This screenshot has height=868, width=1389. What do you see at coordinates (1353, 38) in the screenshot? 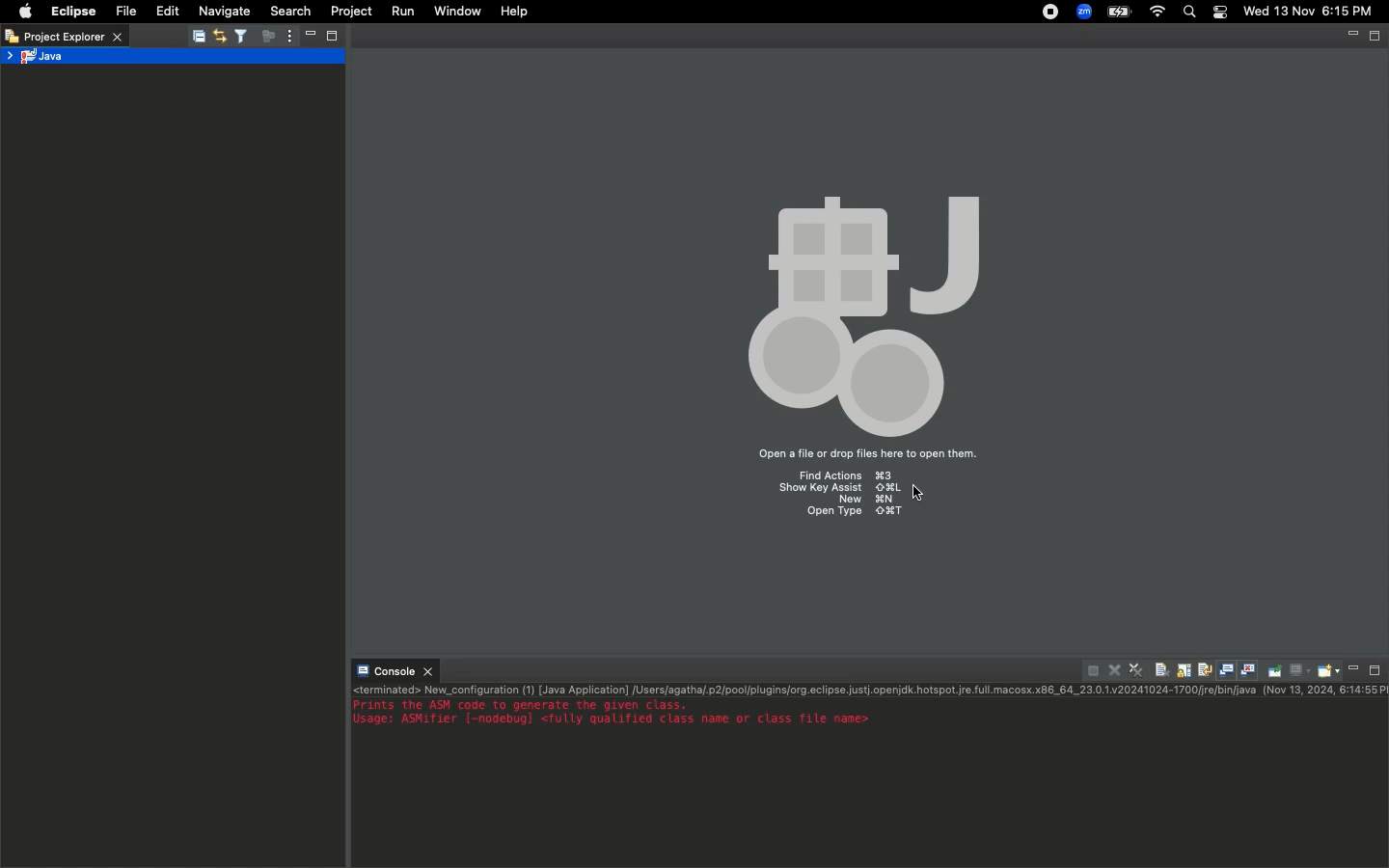
I see `minimize` at bounding box center [1353, 38].